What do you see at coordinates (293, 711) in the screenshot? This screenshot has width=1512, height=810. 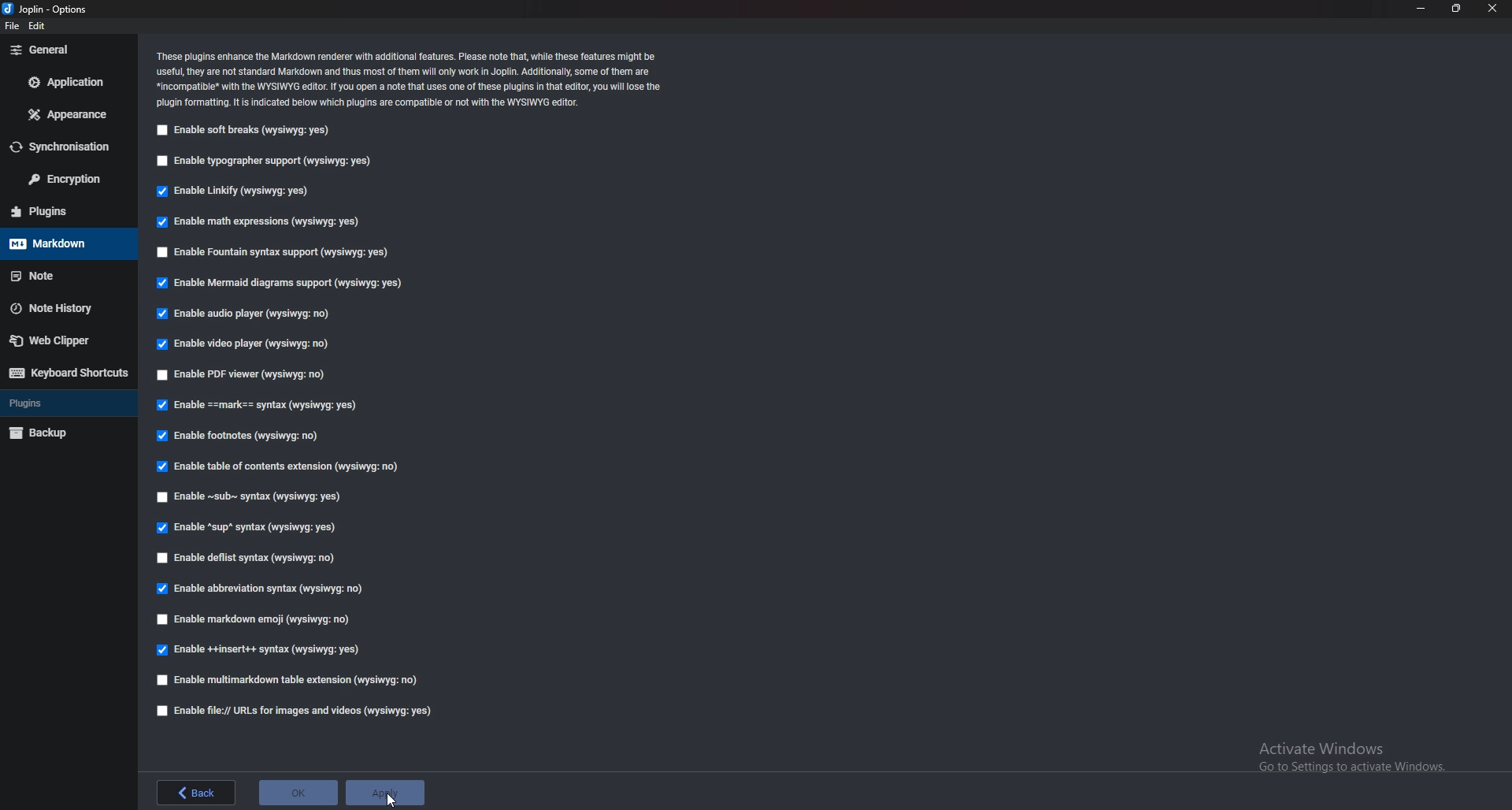 I see `Enable file urls for images and videos` at bounding box center [293, 711].